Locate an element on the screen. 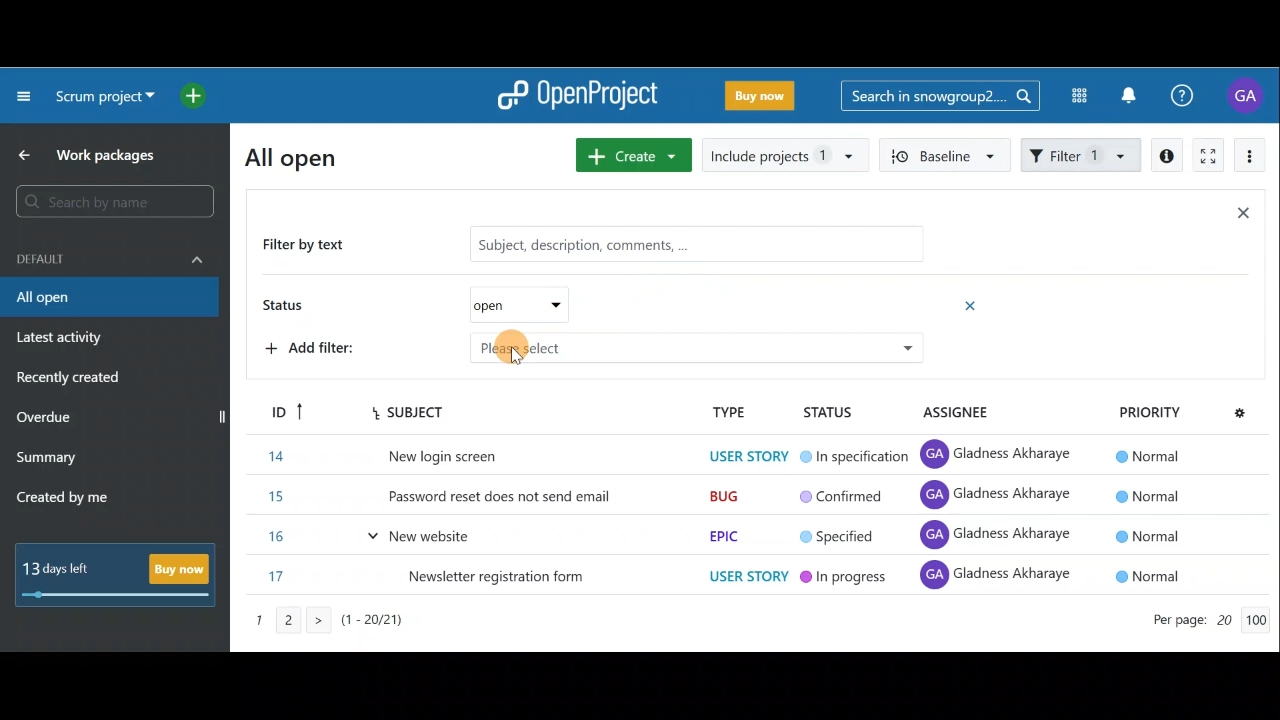  Account name is located at coordinates (1248, 95).